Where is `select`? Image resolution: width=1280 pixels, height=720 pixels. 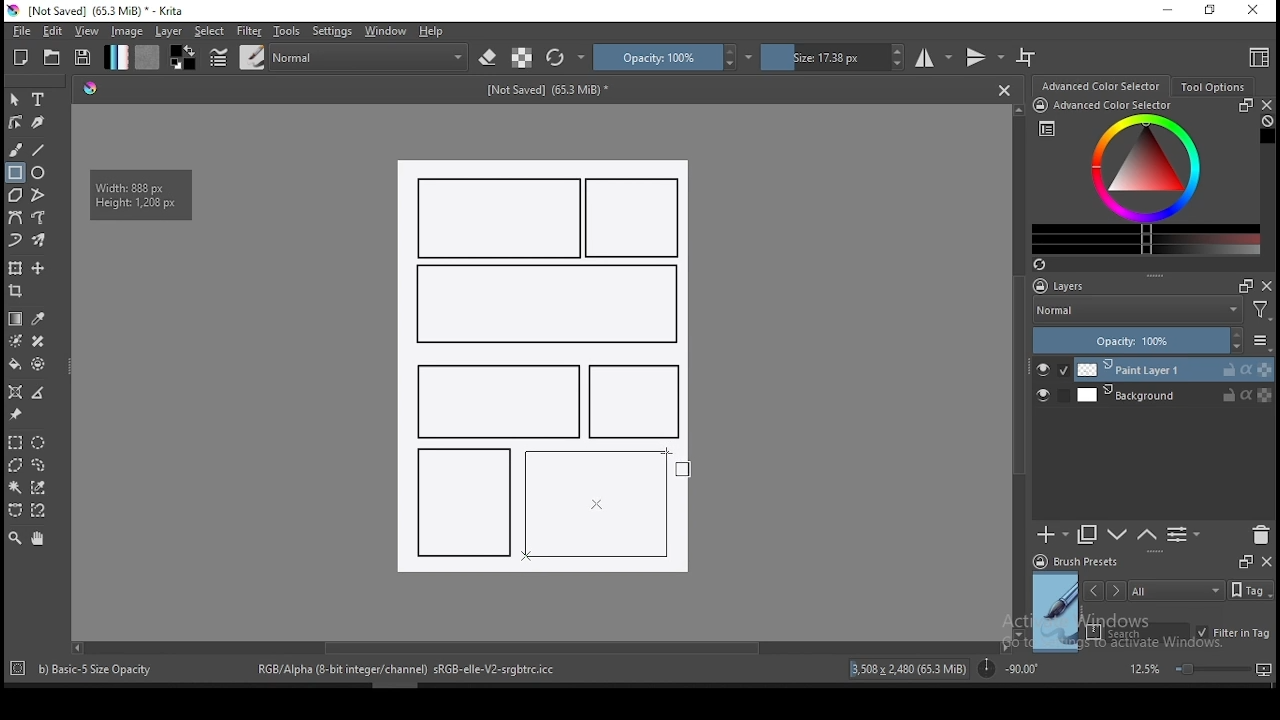
select is located at coordinates (210, 31).